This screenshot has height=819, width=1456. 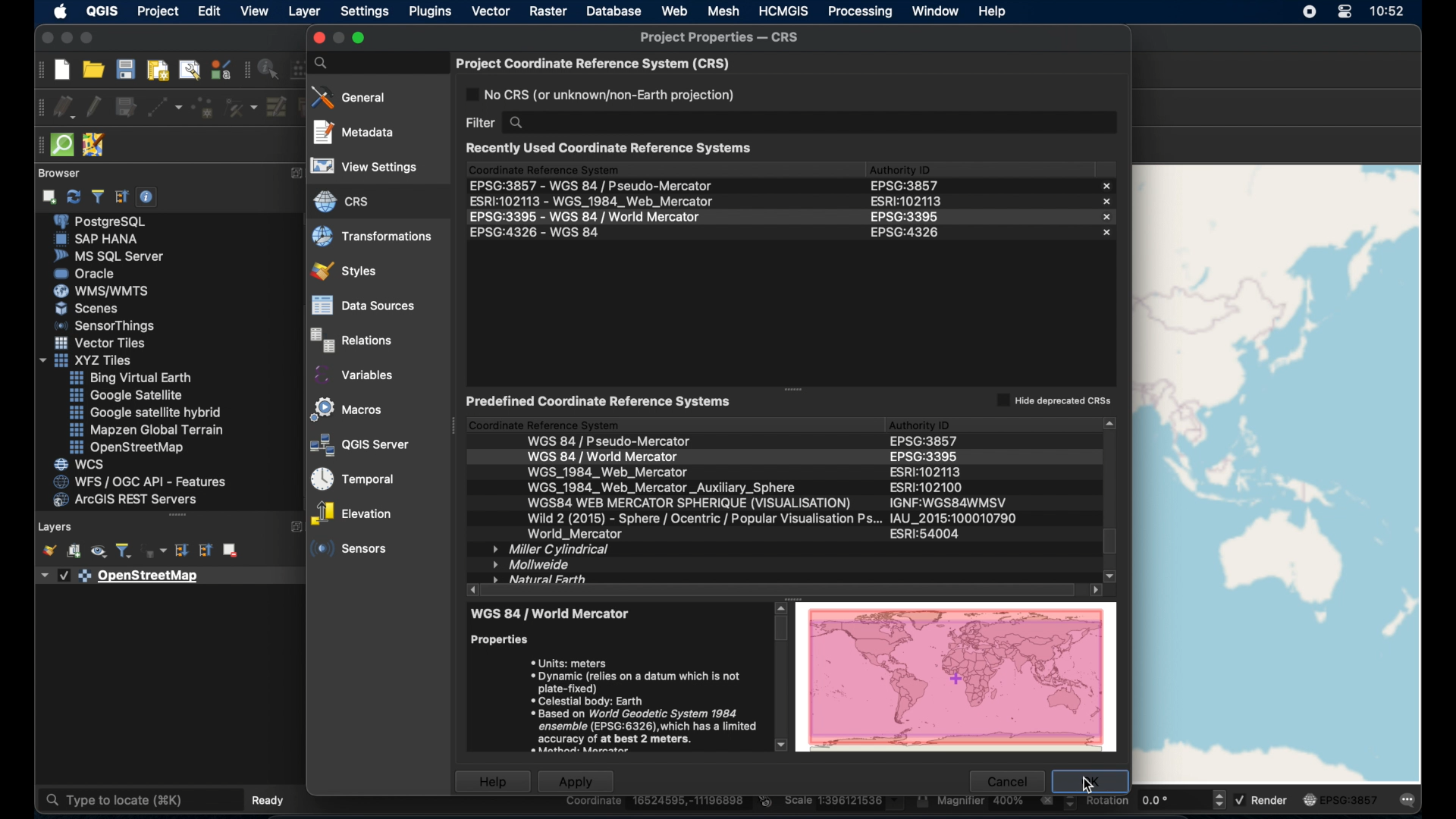 What do you see at coordinates (1089, 786) in the screenshot?
I see `cursor` at bounding box center [1089, 786].